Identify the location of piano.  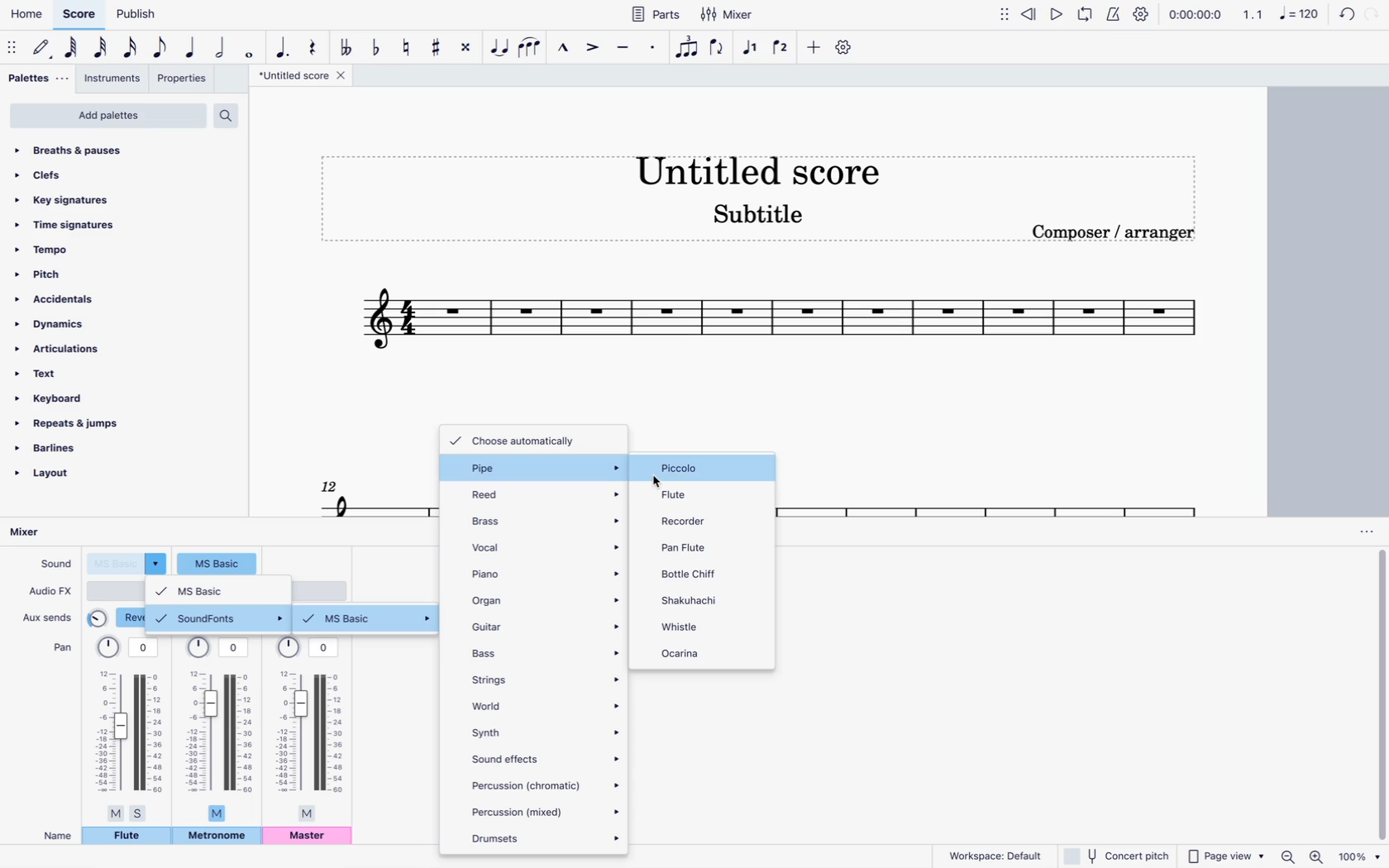
(546, 575).